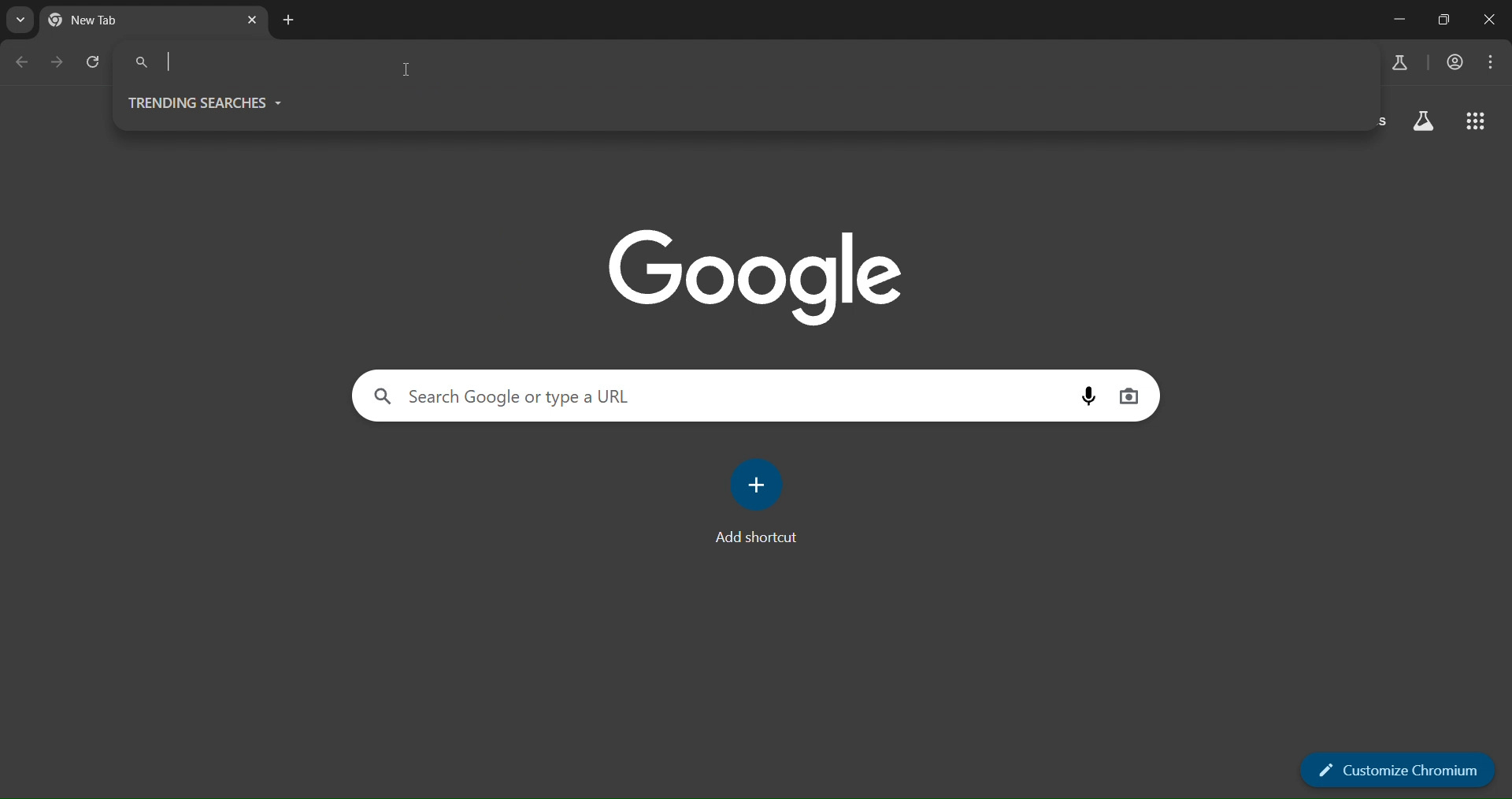 Image resolution: width=1512 pixels, height=799 pixels. What do you see at coordinates (1130, 396) in the screenshot?
I see `image search` at bounding box center [1130, 396].